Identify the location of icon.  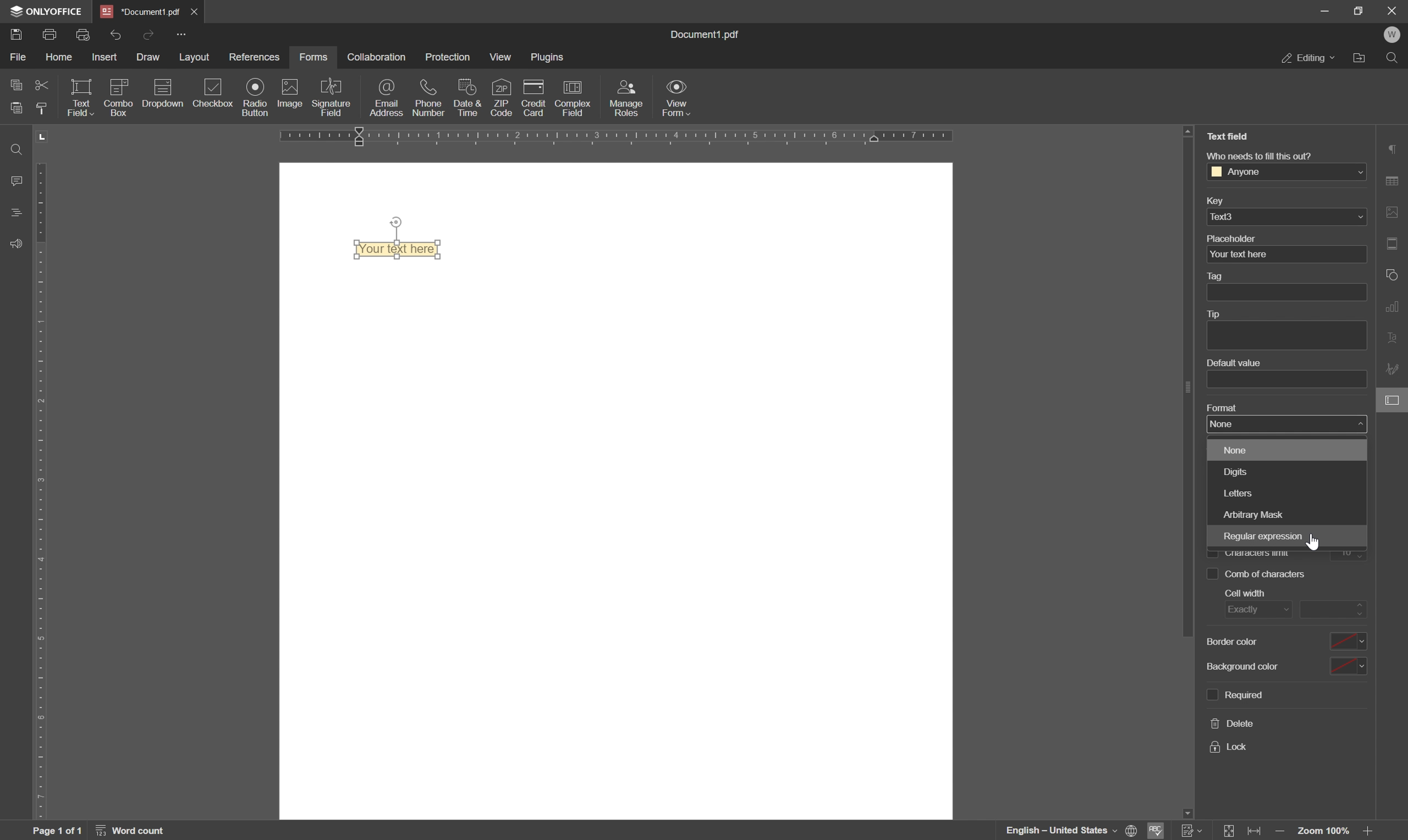
(161, 96).